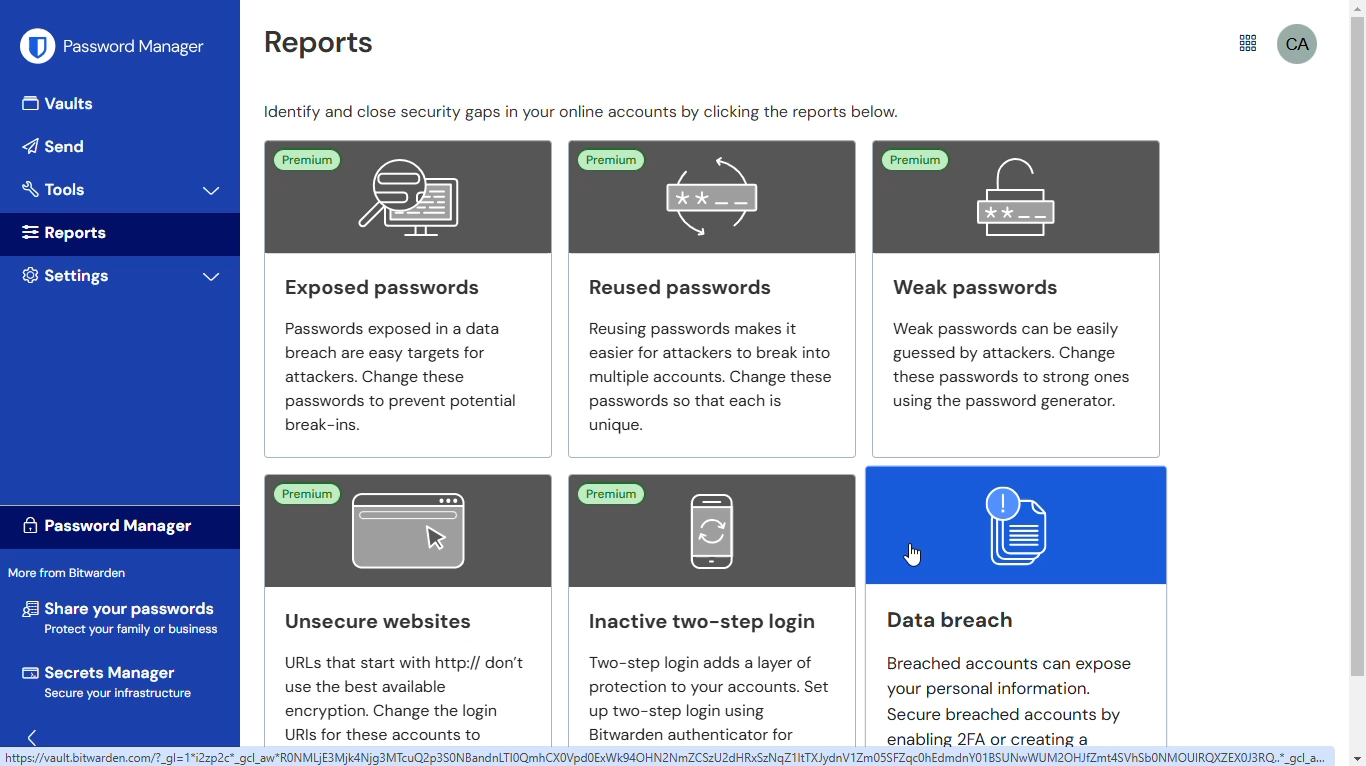 This screenshot has height=766, width=1366. Describe the element at coordinates (67, 571) in the screenshot. I see `more from bitwarden` at that location.